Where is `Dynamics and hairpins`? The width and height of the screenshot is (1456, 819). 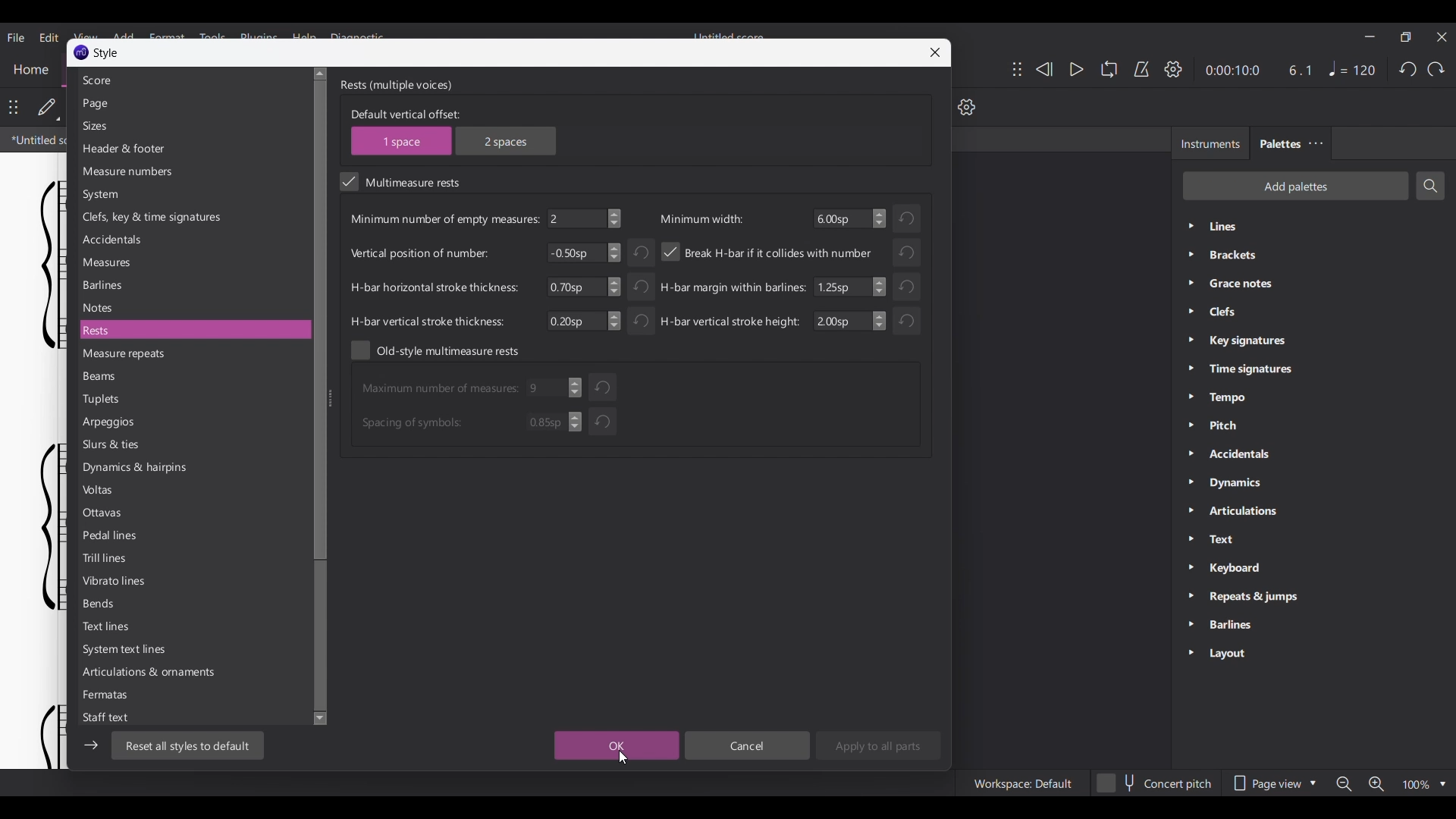
Dynamics and hairpins is located at coordinates (192, 468).